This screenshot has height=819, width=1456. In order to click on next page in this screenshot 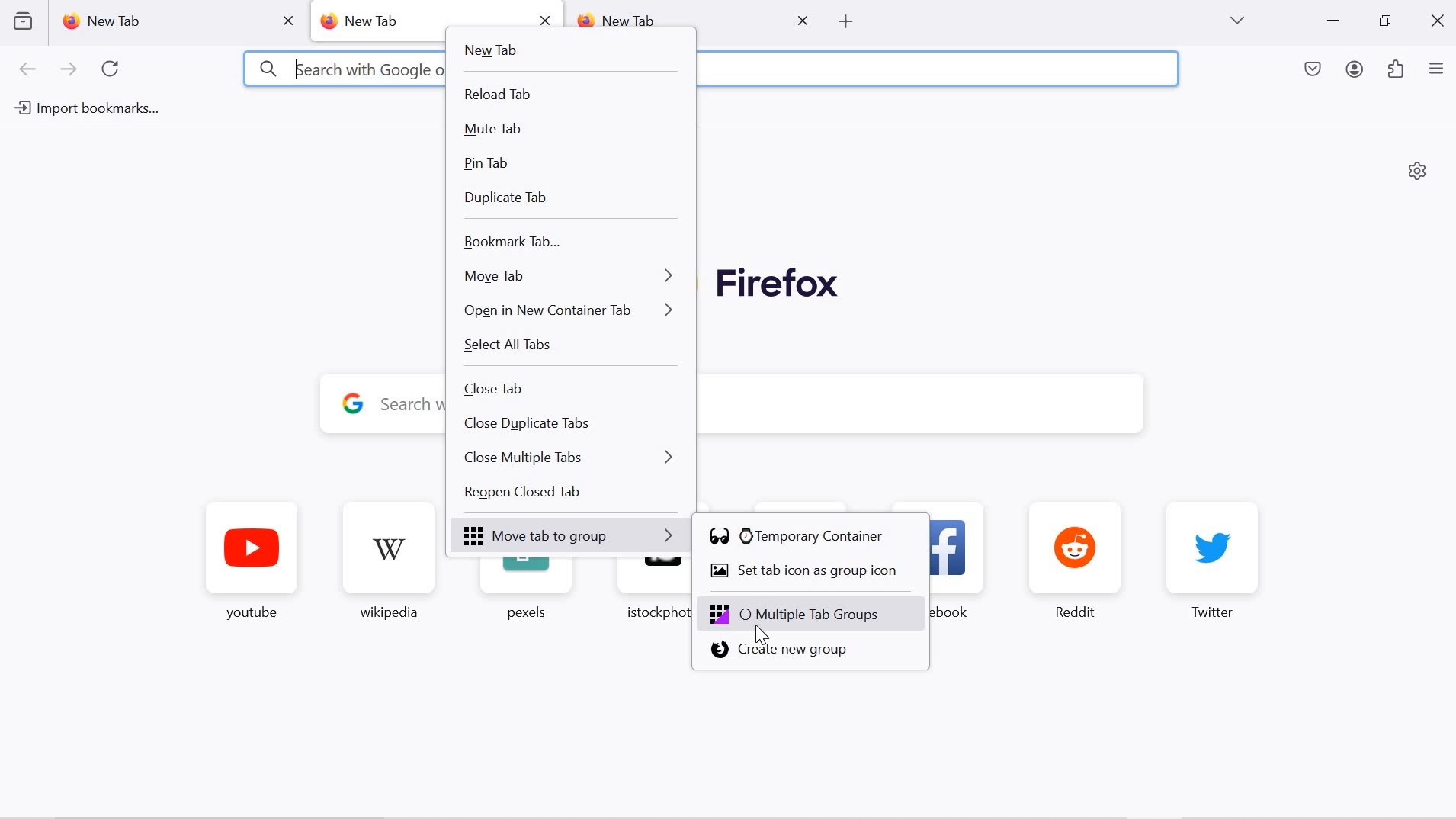, I will do `click(69, 70)`.